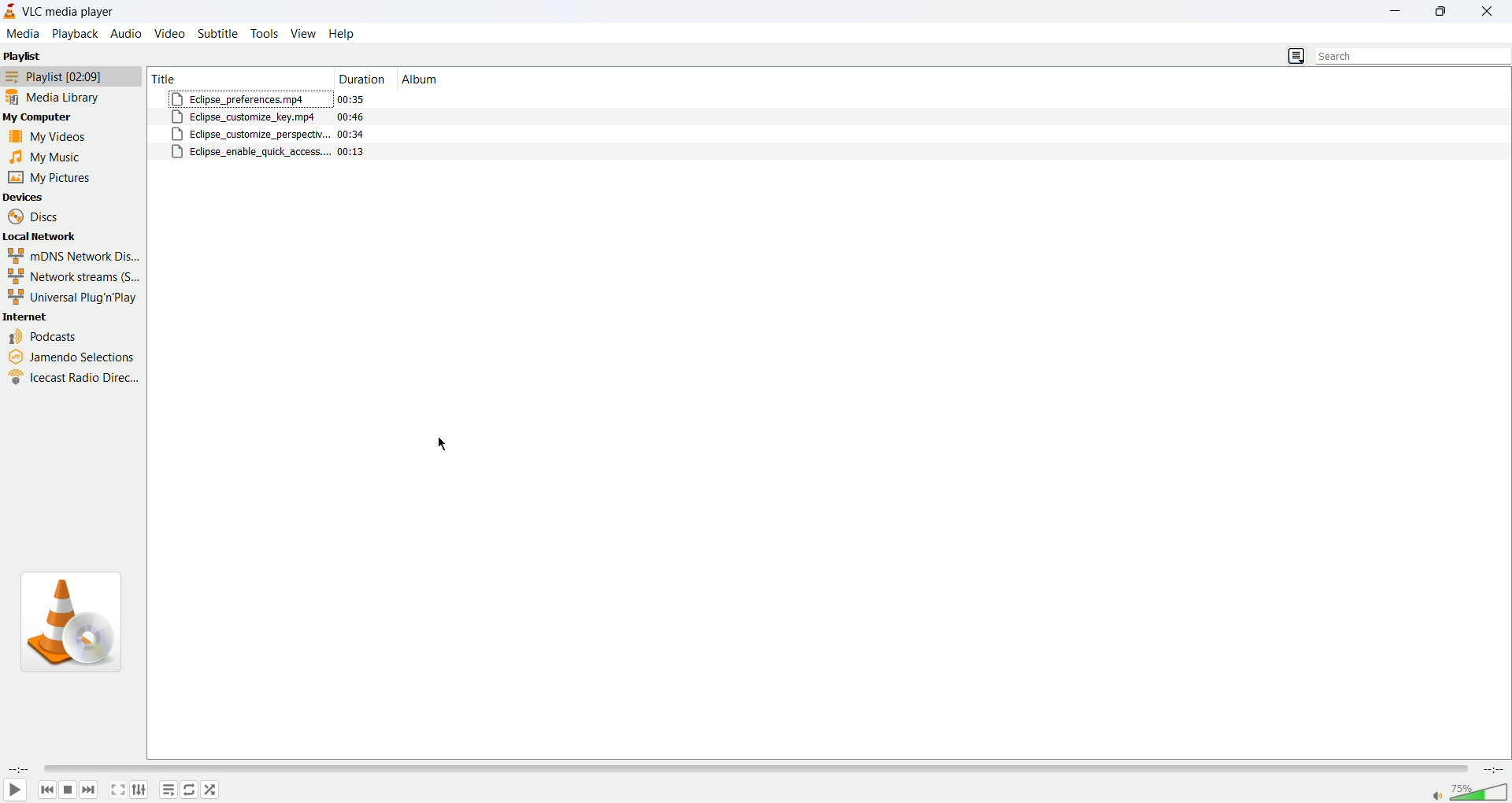 This screenshot has width=1512, height=803. Describe the element at coordinates (1402, 12) in the screenshot. I see `minimize` at that location.